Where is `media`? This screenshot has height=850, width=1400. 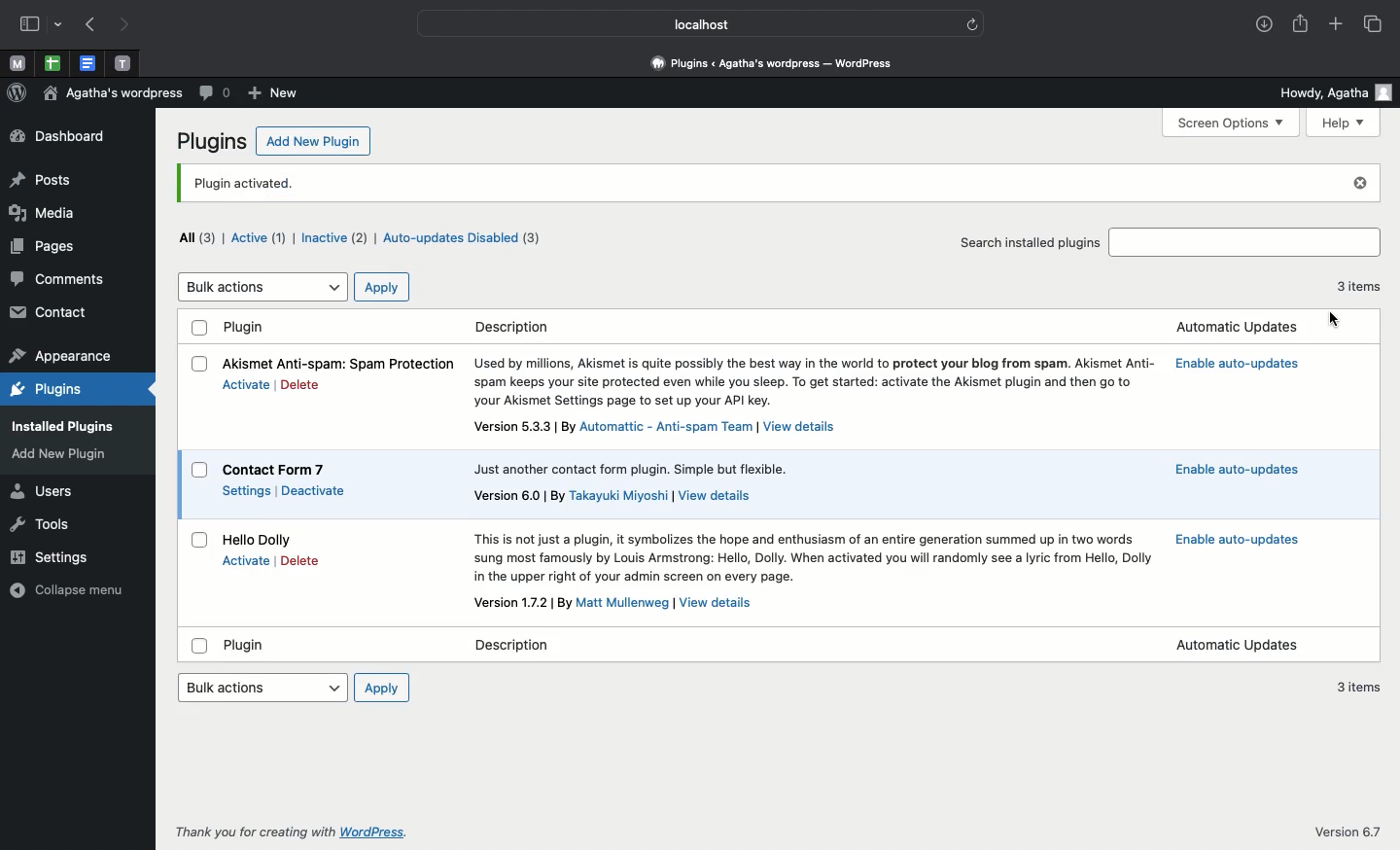
media is located at coordinates (44, 213).